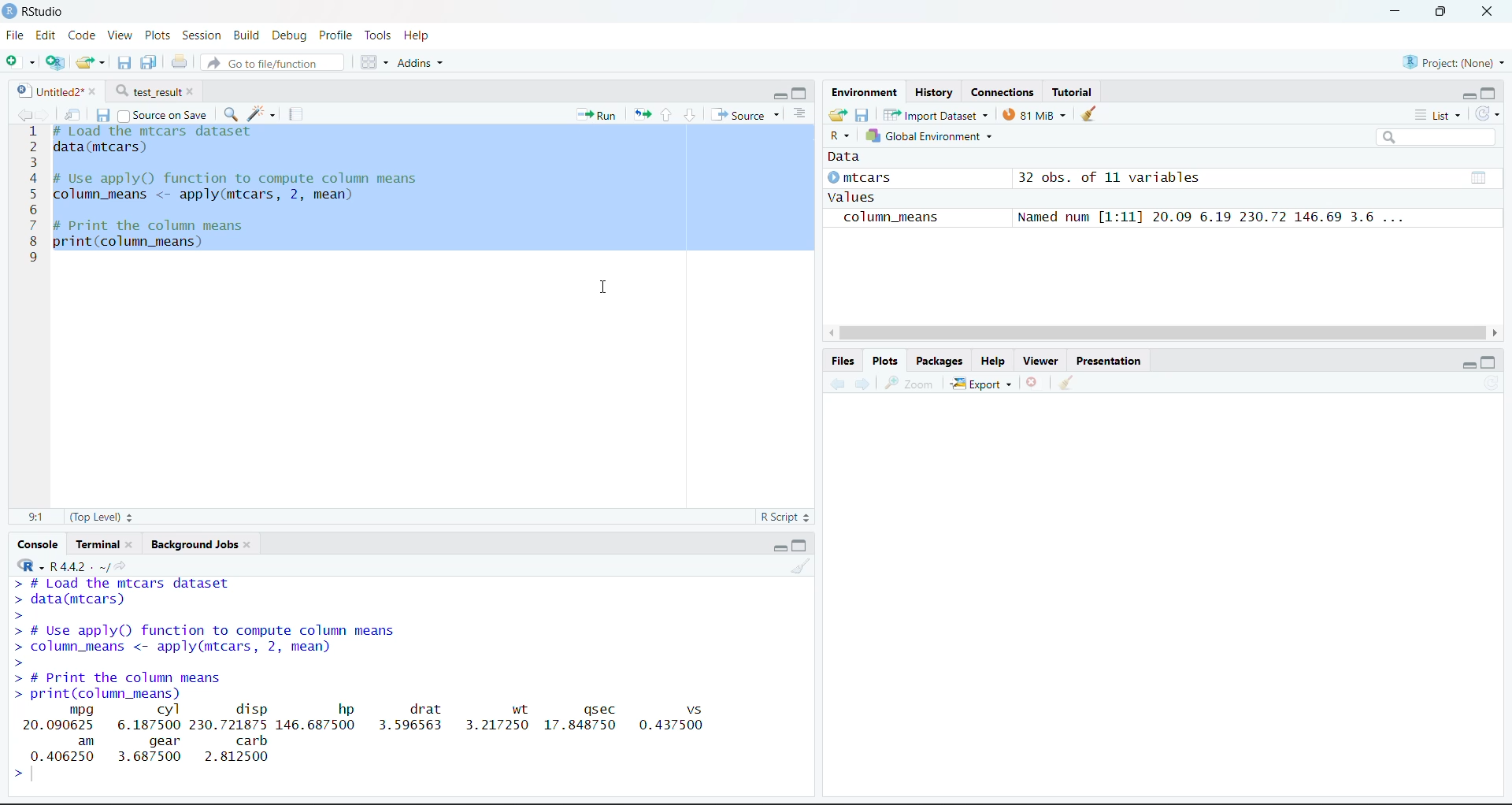  What do you see at coordinates (939, 358) in the screenshot?
I see `Packages` at bounding box center [939, 358].